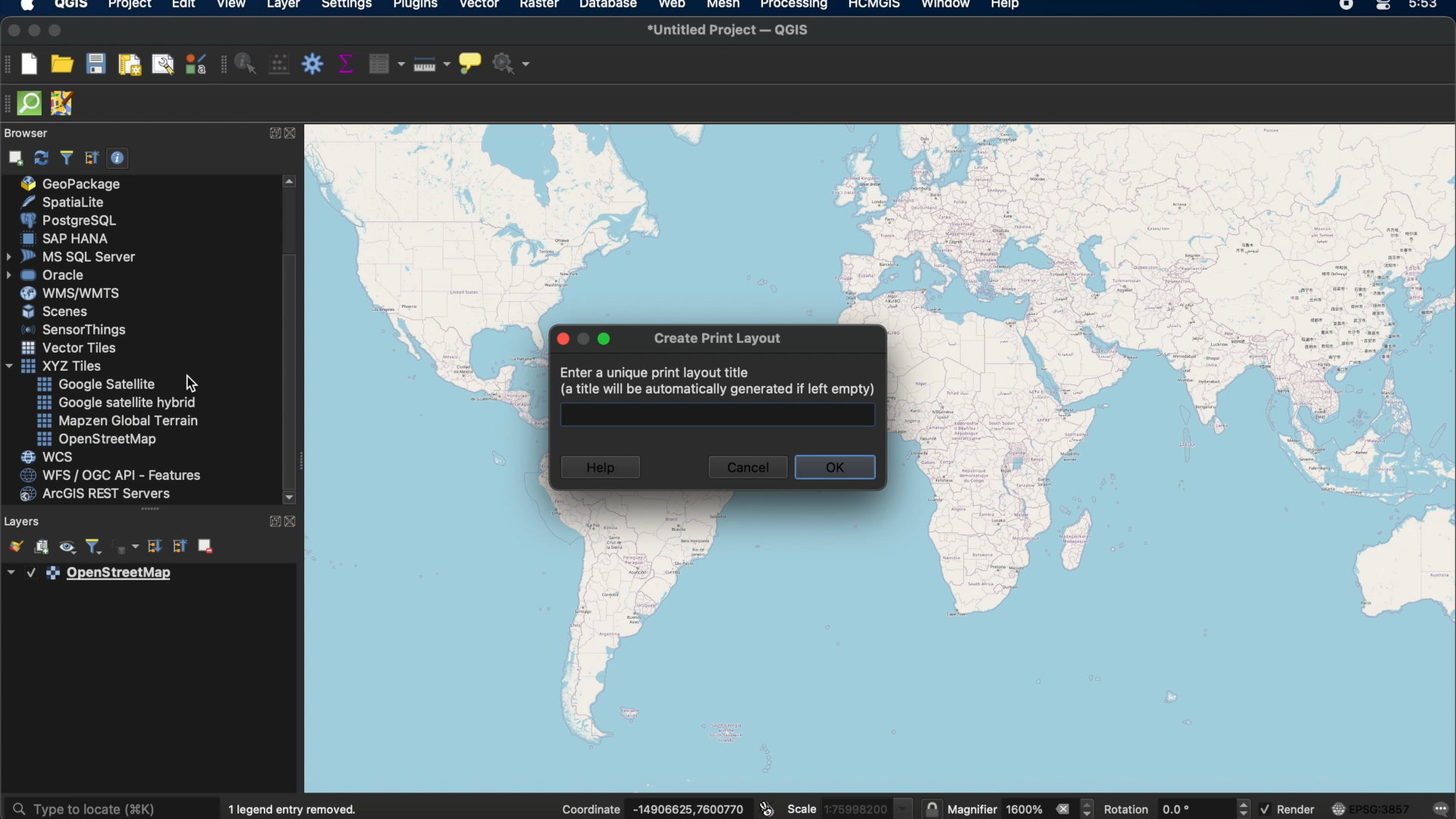 The image size is (1456, 819). Describe the element at coordinates (672, 6) in the screenshot. I see `web` at that location.